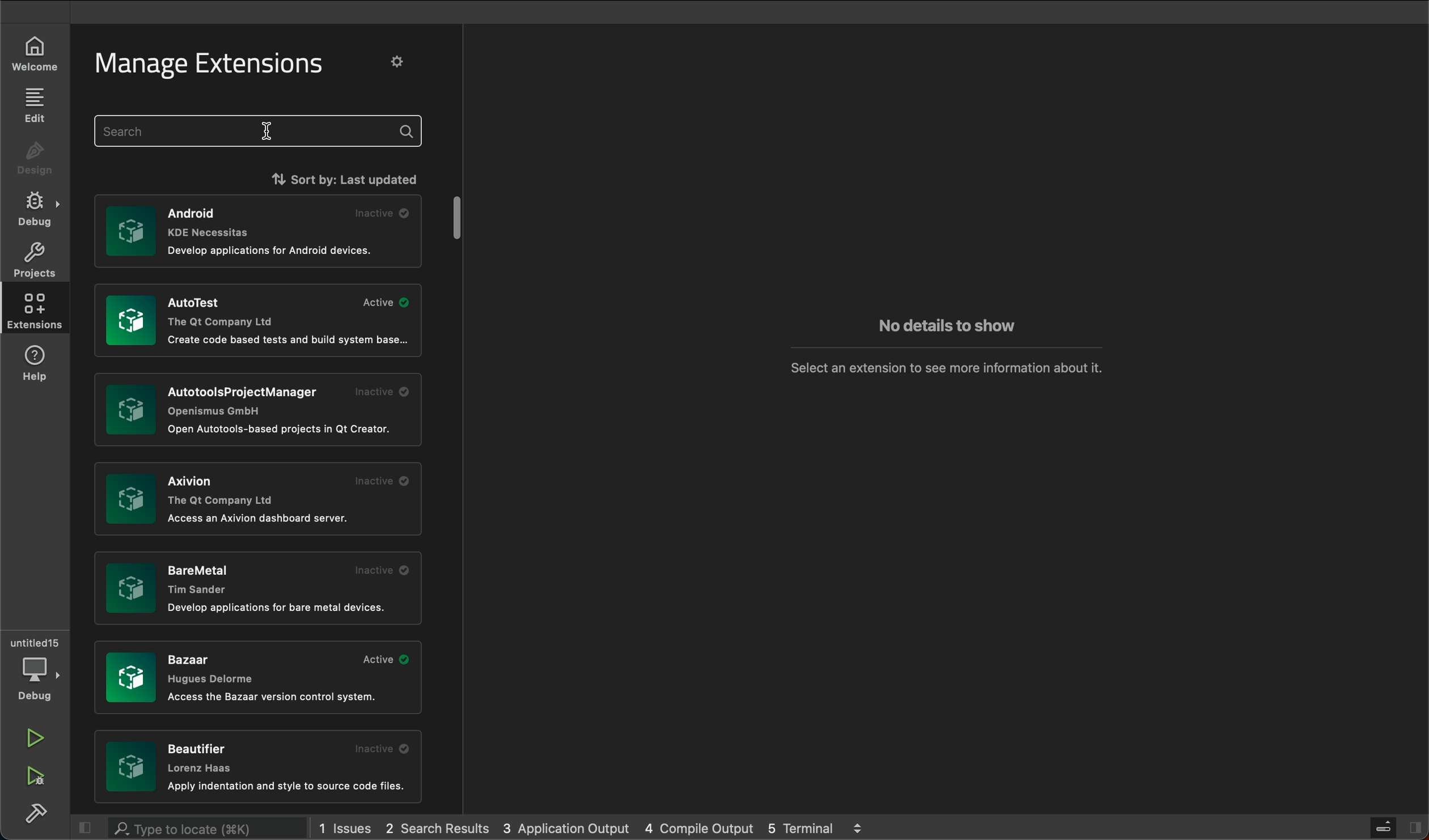 This screenshot has width=1429, height=840. What do you see at coordinates (37, 668) in the screenshot?
I see `debuger` at bounding box center [37, 668].